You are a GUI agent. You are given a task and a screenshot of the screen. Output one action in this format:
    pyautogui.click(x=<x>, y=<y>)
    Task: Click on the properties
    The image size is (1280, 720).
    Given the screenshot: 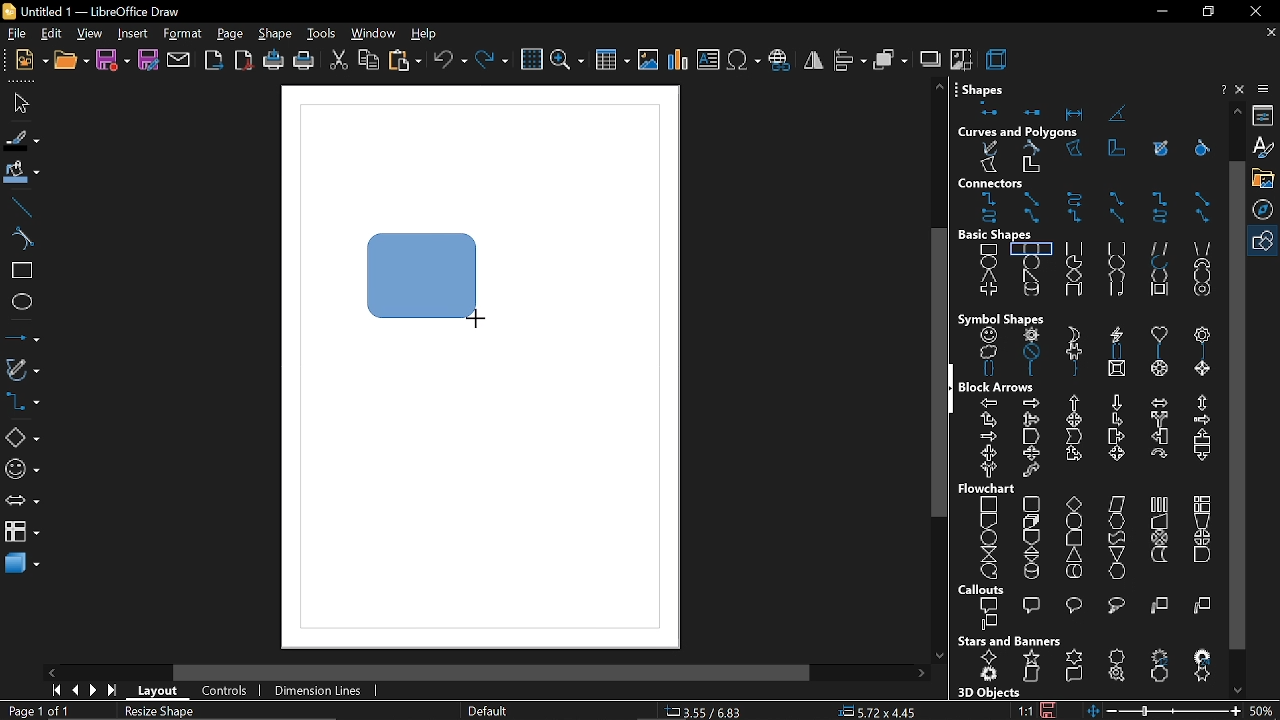 What is the action you would take?
    pyautogui.click(x=1266, y=116)
    